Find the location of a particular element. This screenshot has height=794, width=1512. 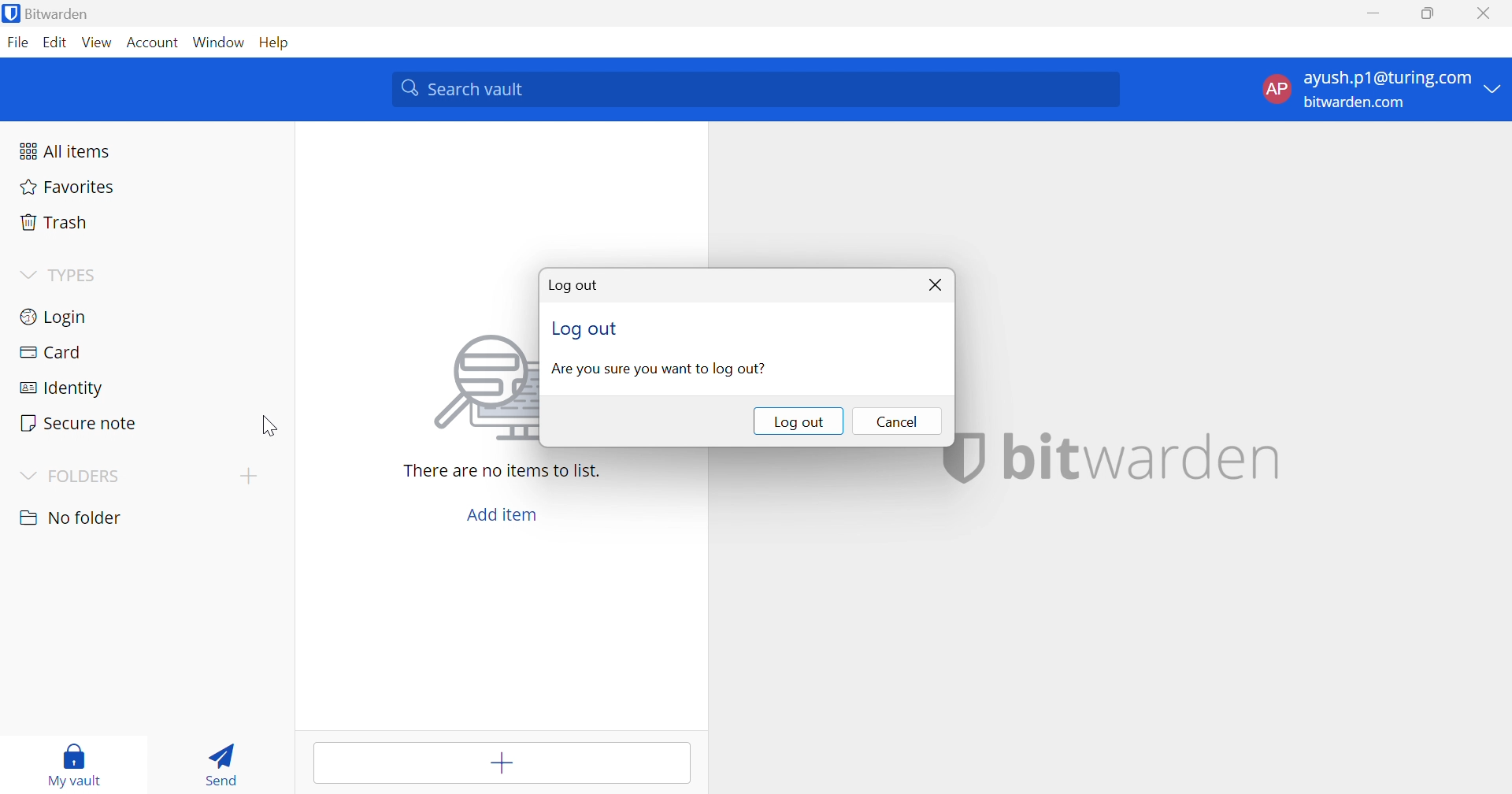

Cancel is located at coordinates (894, 421).